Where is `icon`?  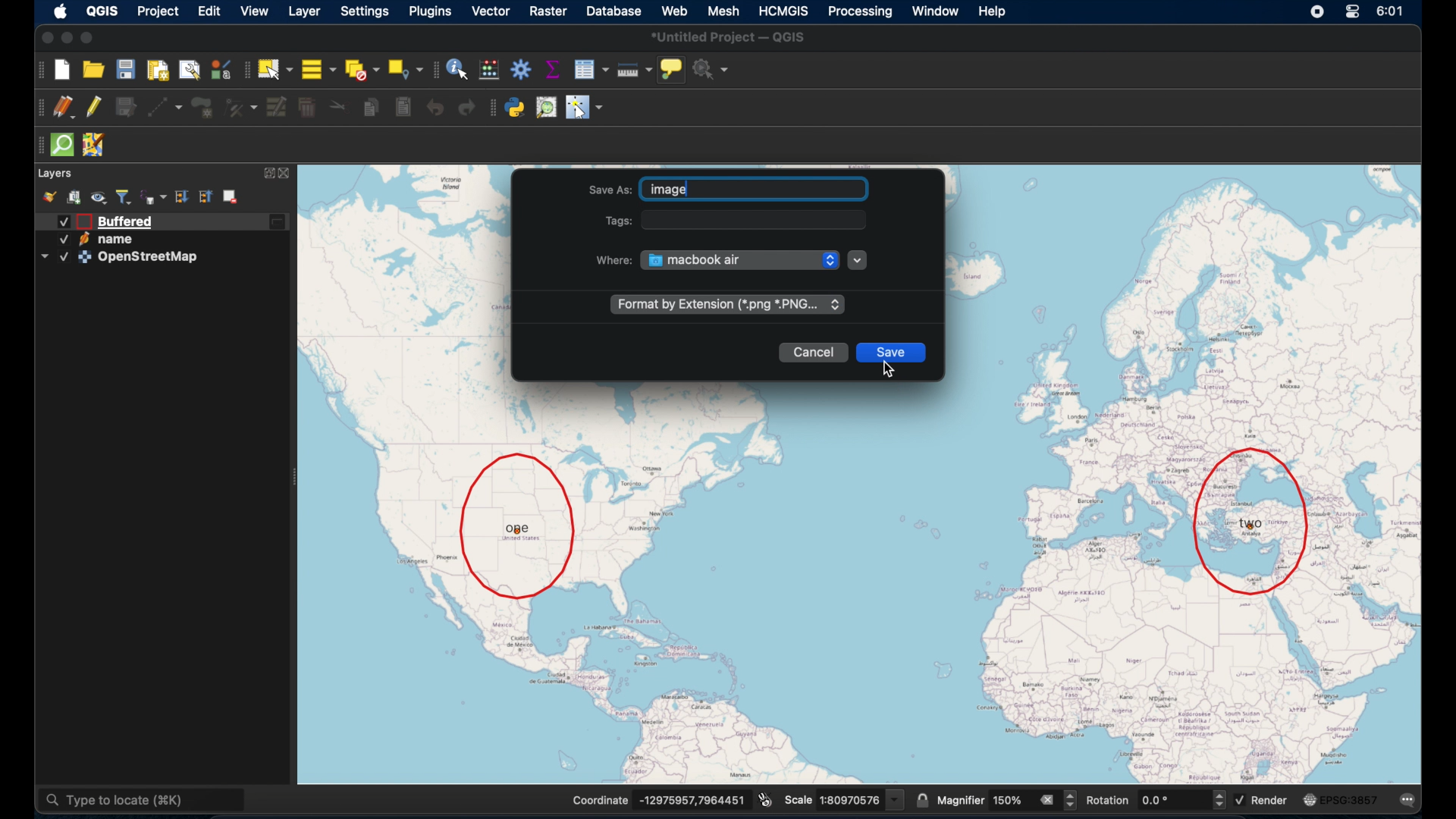 icon is located at coordinates (85, 257).